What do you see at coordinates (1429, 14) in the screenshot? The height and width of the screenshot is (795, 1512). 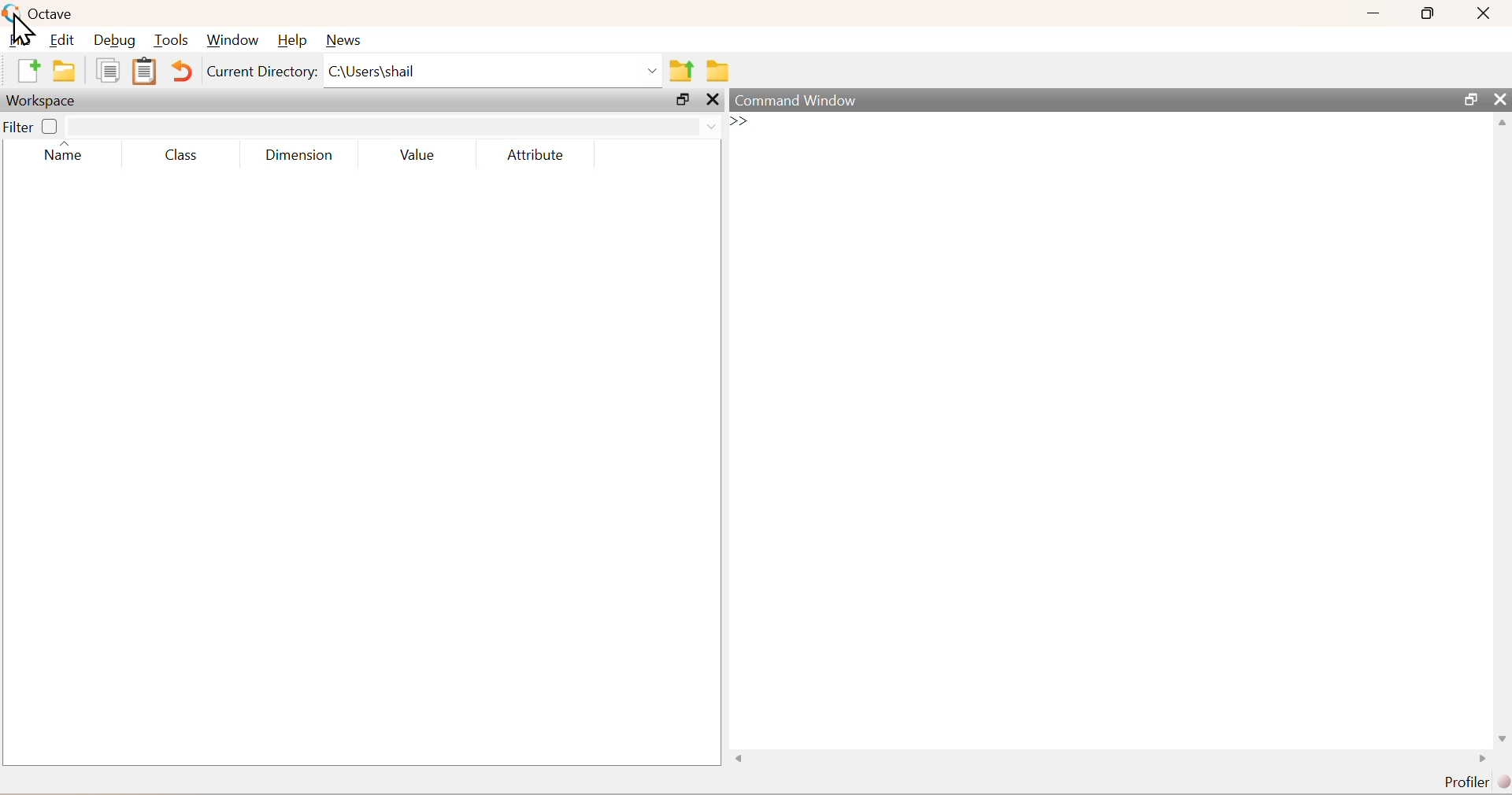 I see `resize` at bounding box center [1429, 14].